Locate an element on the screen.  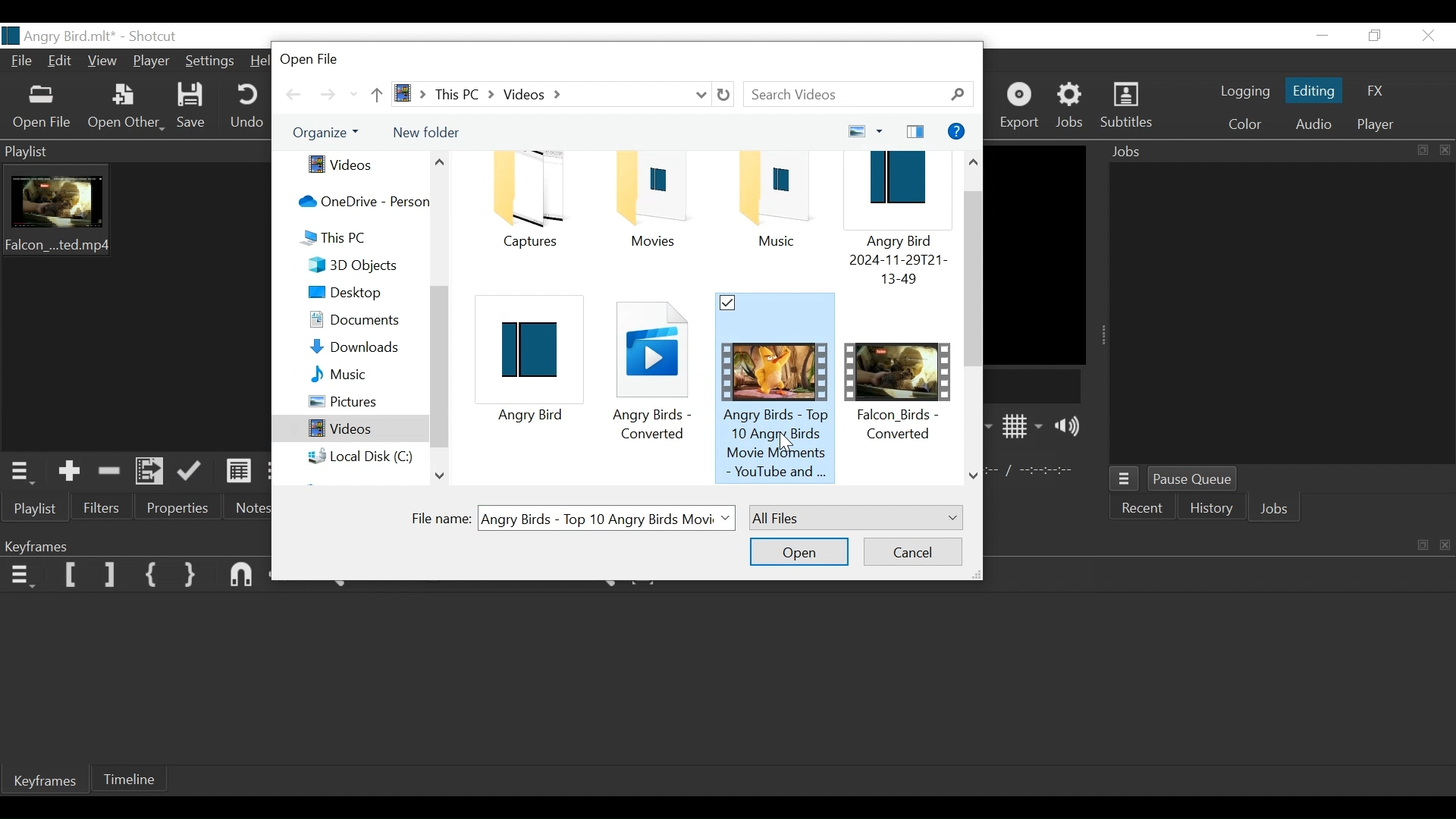
Pause Queue is located at coordinates (1191, 479).